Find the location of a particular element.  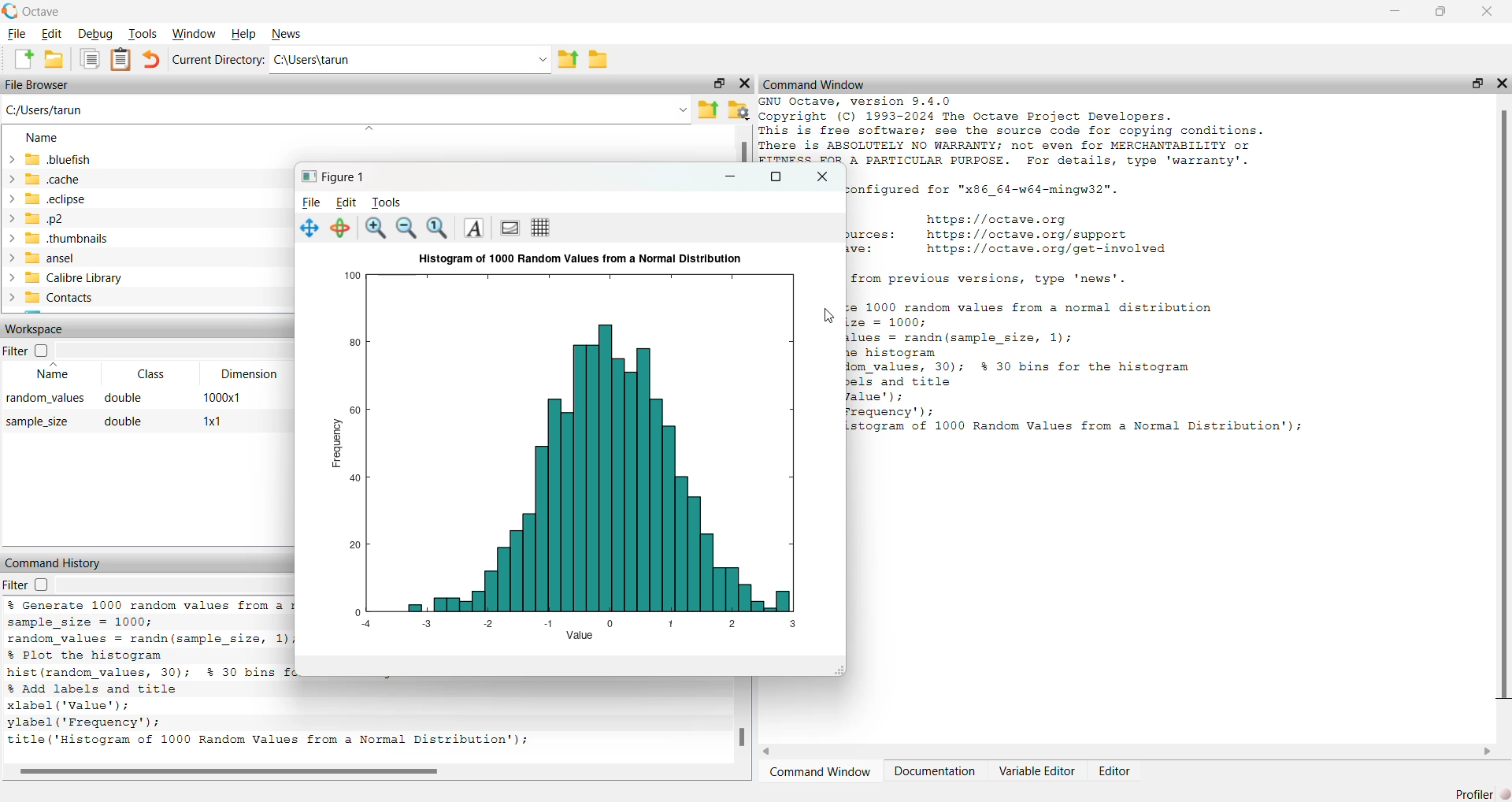

logo is located at coordinates (10, 10).